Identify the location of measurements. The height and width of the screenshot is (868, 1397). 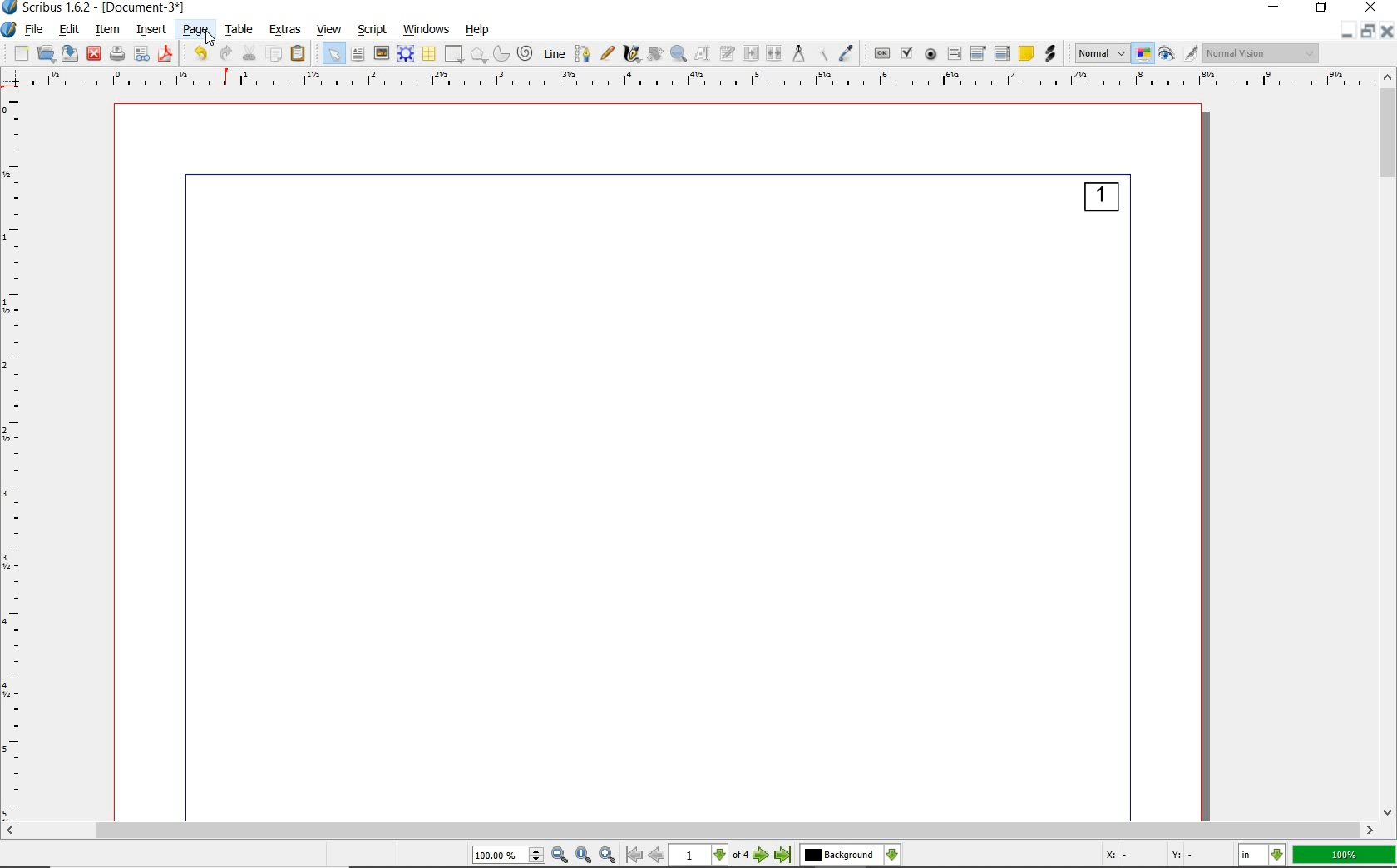
(798, 54).